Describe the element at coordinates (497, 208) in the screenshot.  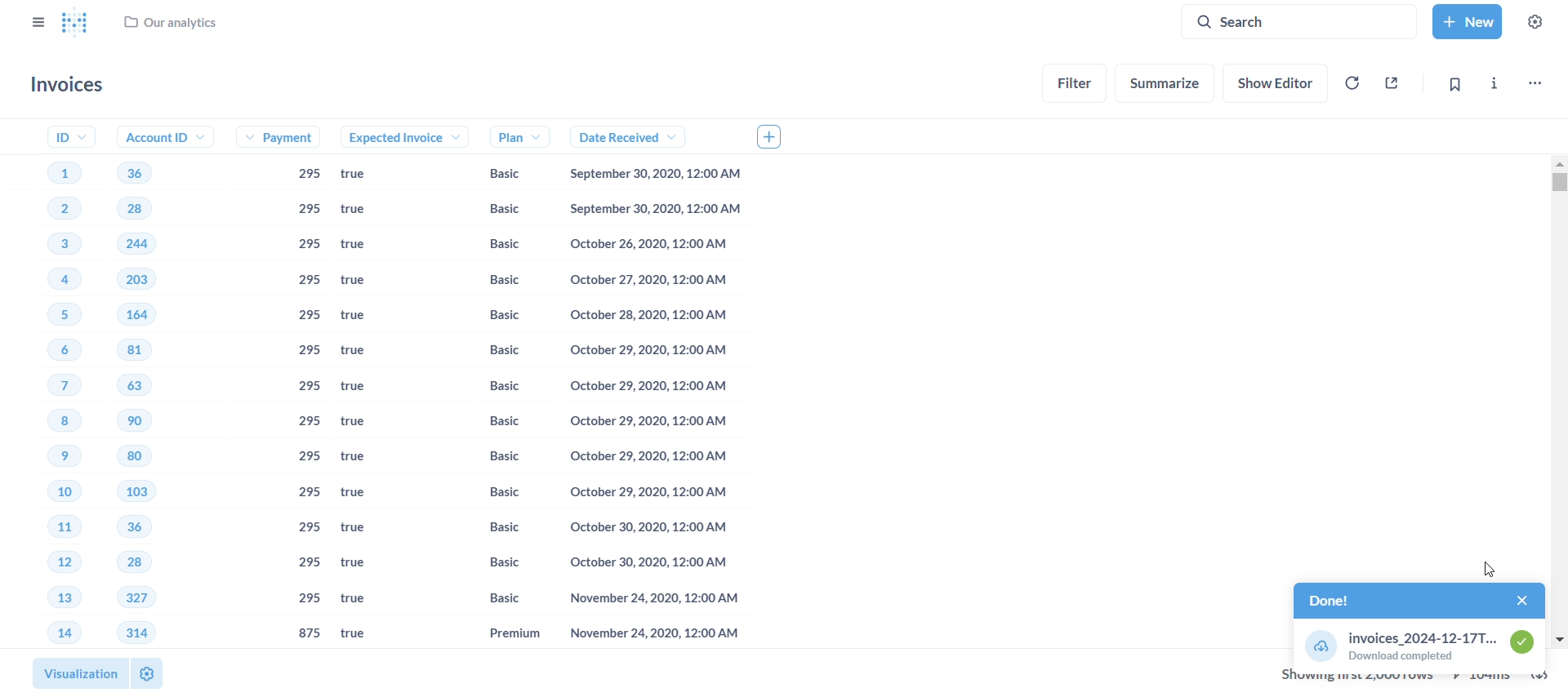
I see `Basic` at that location.